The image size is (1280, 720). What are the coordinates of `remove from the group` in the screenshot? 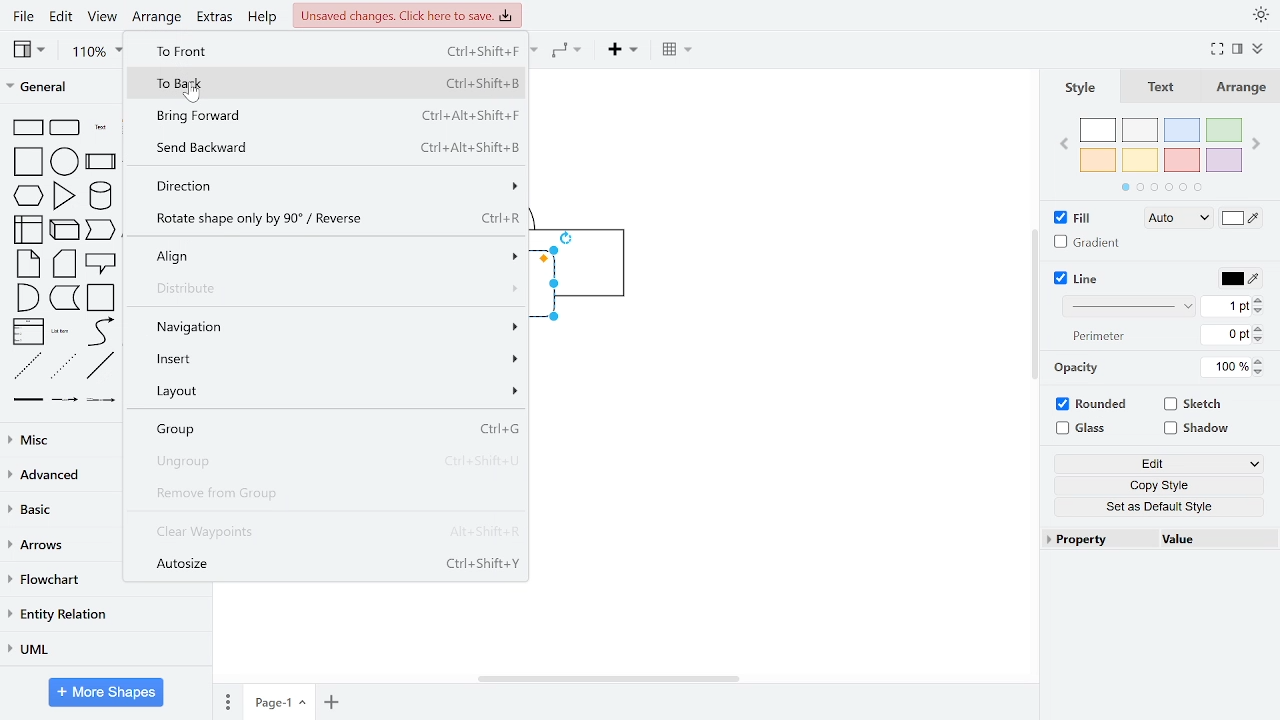 It's located at (326, 492).